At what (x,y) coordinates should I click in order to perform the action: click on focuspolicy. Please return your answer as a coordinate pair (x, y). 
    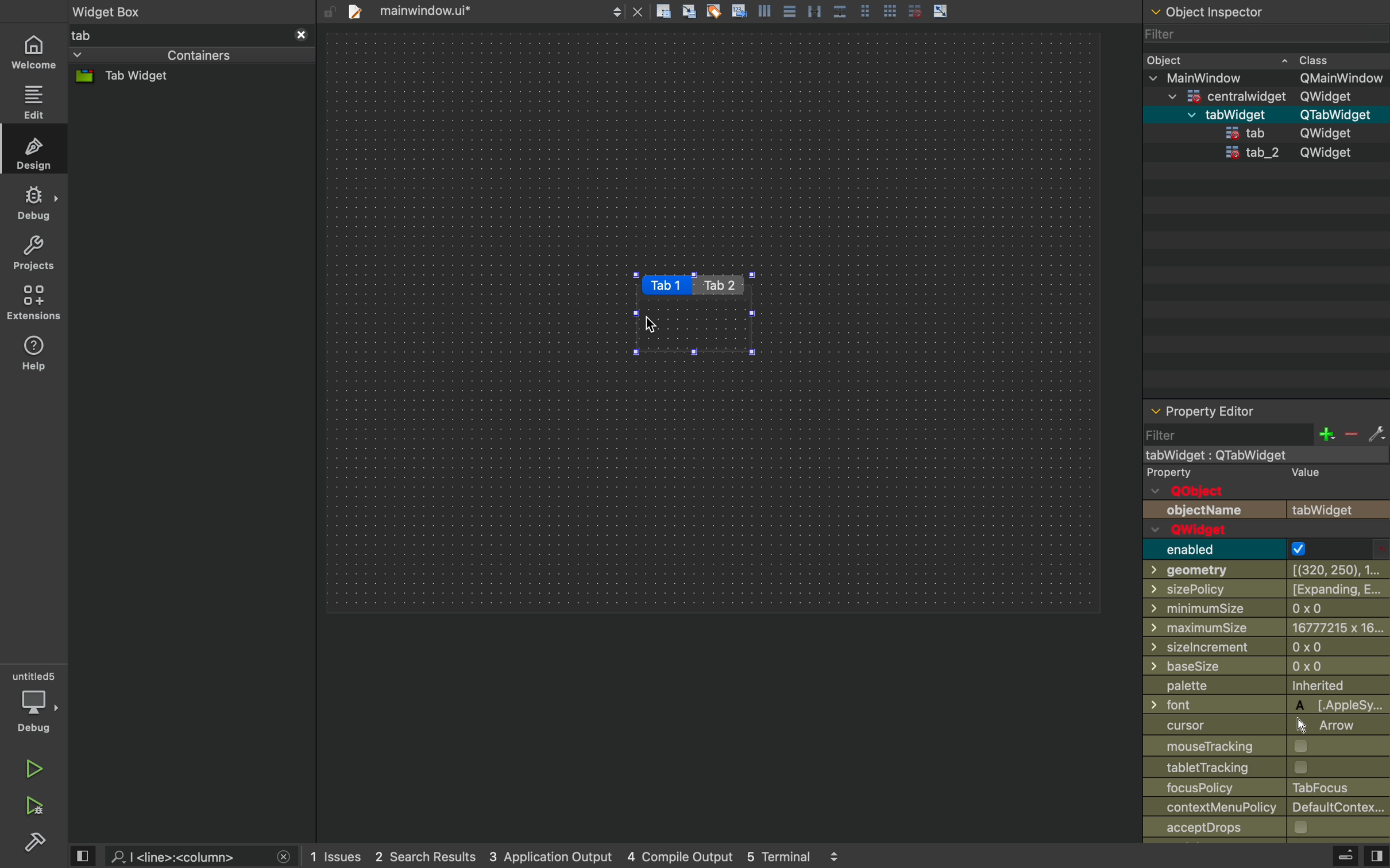
    Looking at the image, I should click on (1268, 789).